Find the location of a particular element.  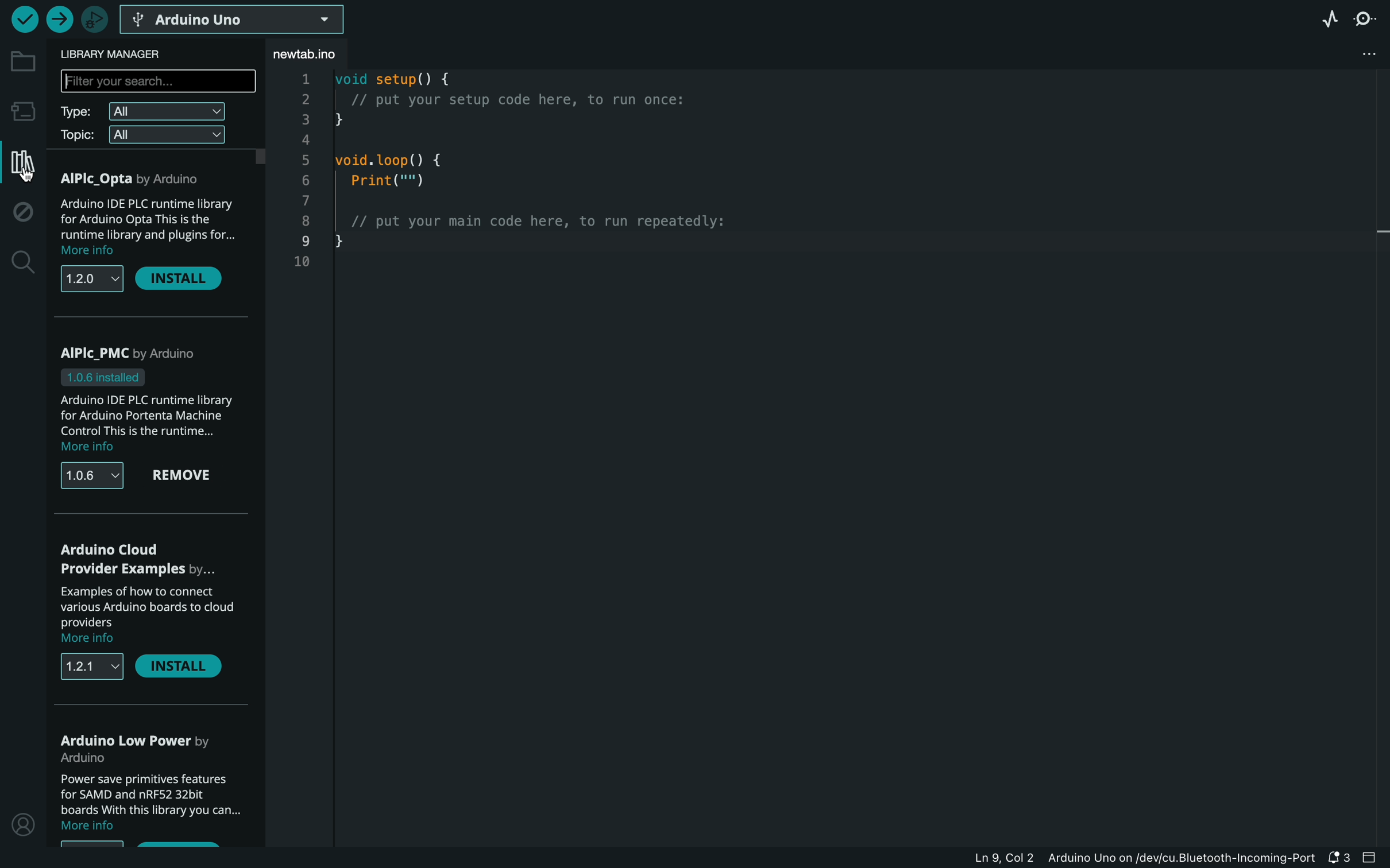

description is located at coordinates (147, 424).